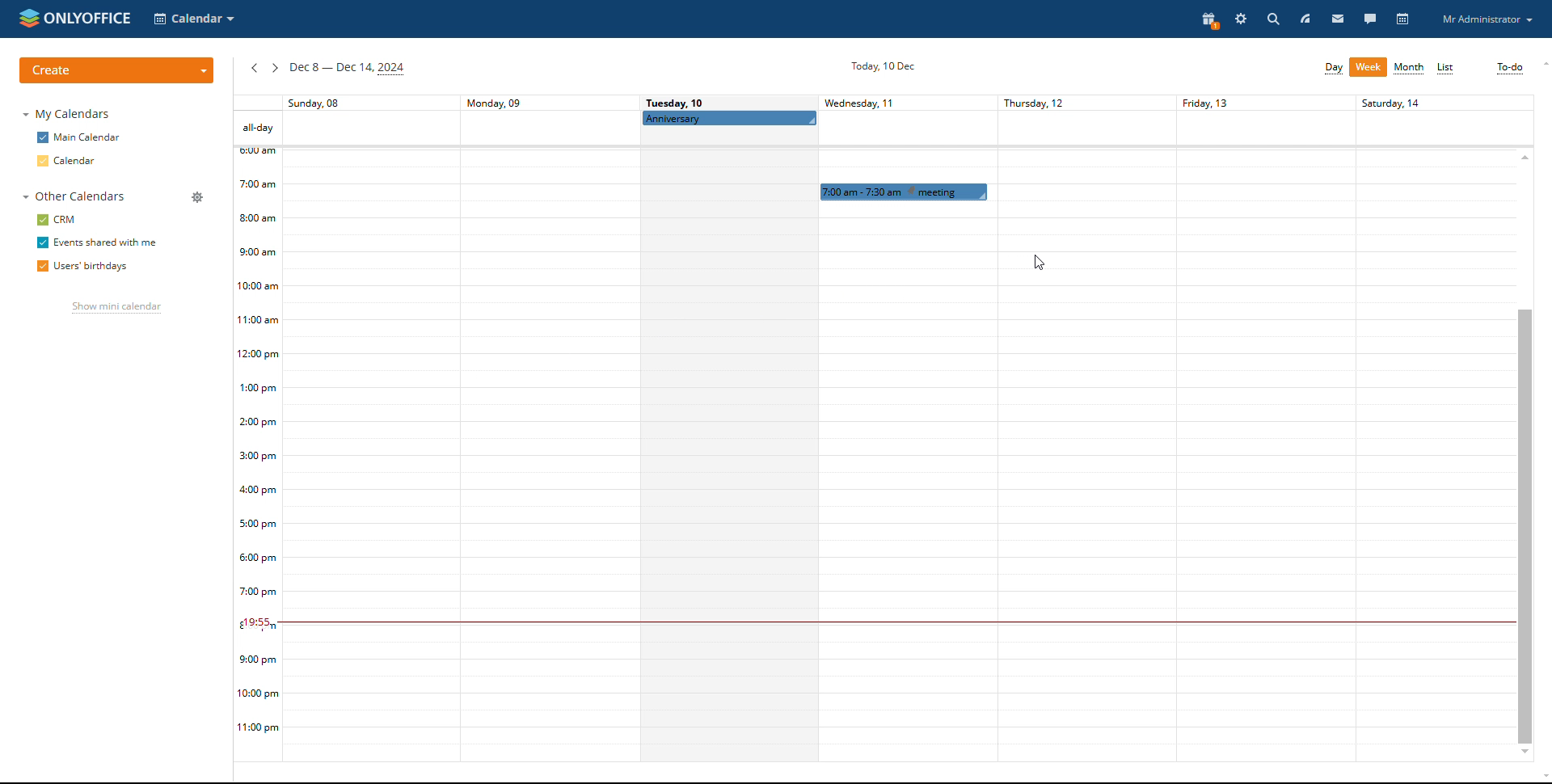 The image size is (1552, 784). What do you see at coordinates (1305, 18) in the screenshot?
I see `feed` at bounding box center [1305, 18].